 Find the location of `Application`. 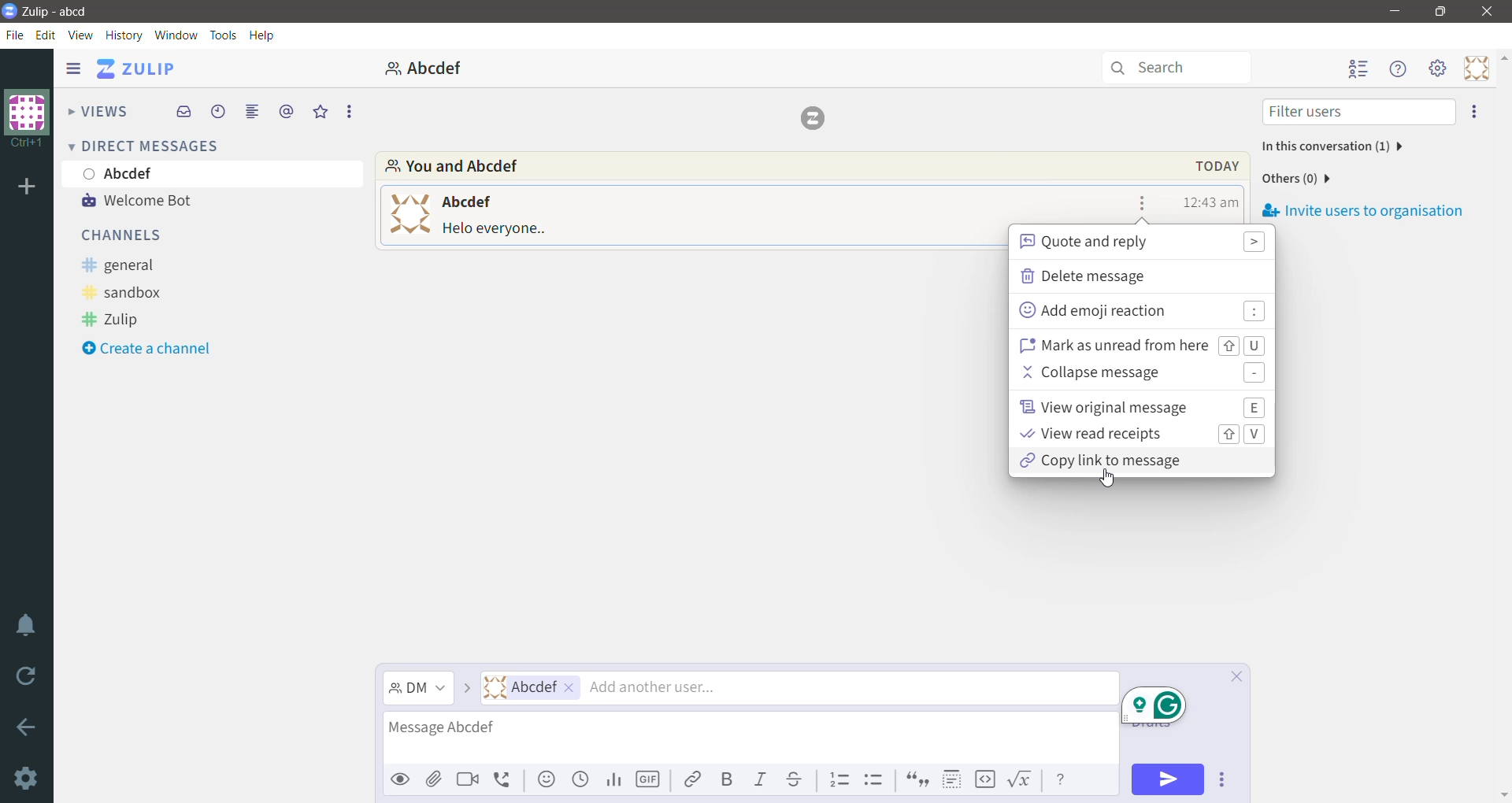

Application is located at coordinates (136, 68).